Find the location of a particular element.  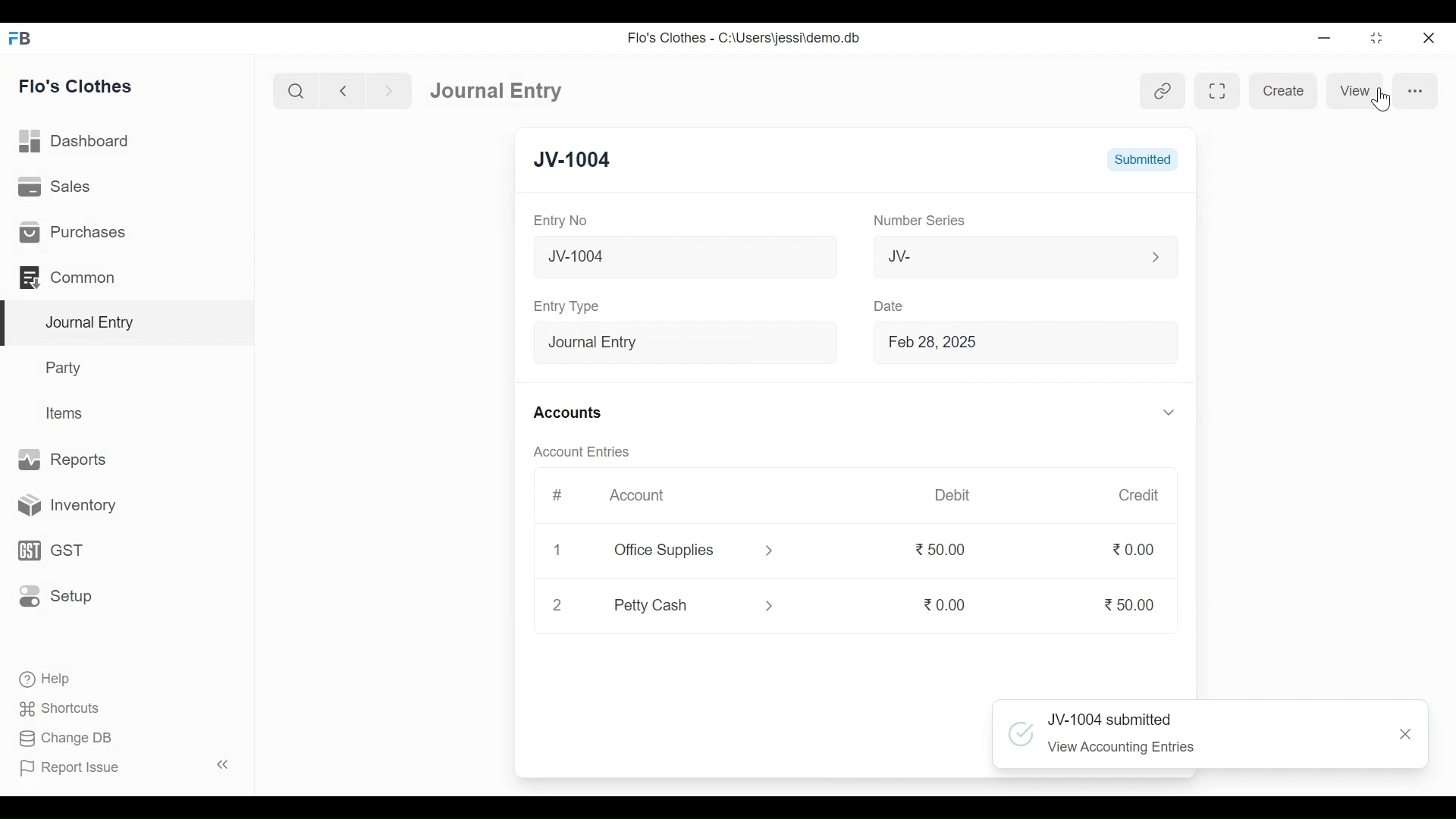

Account is located at coordinates (635, 493).